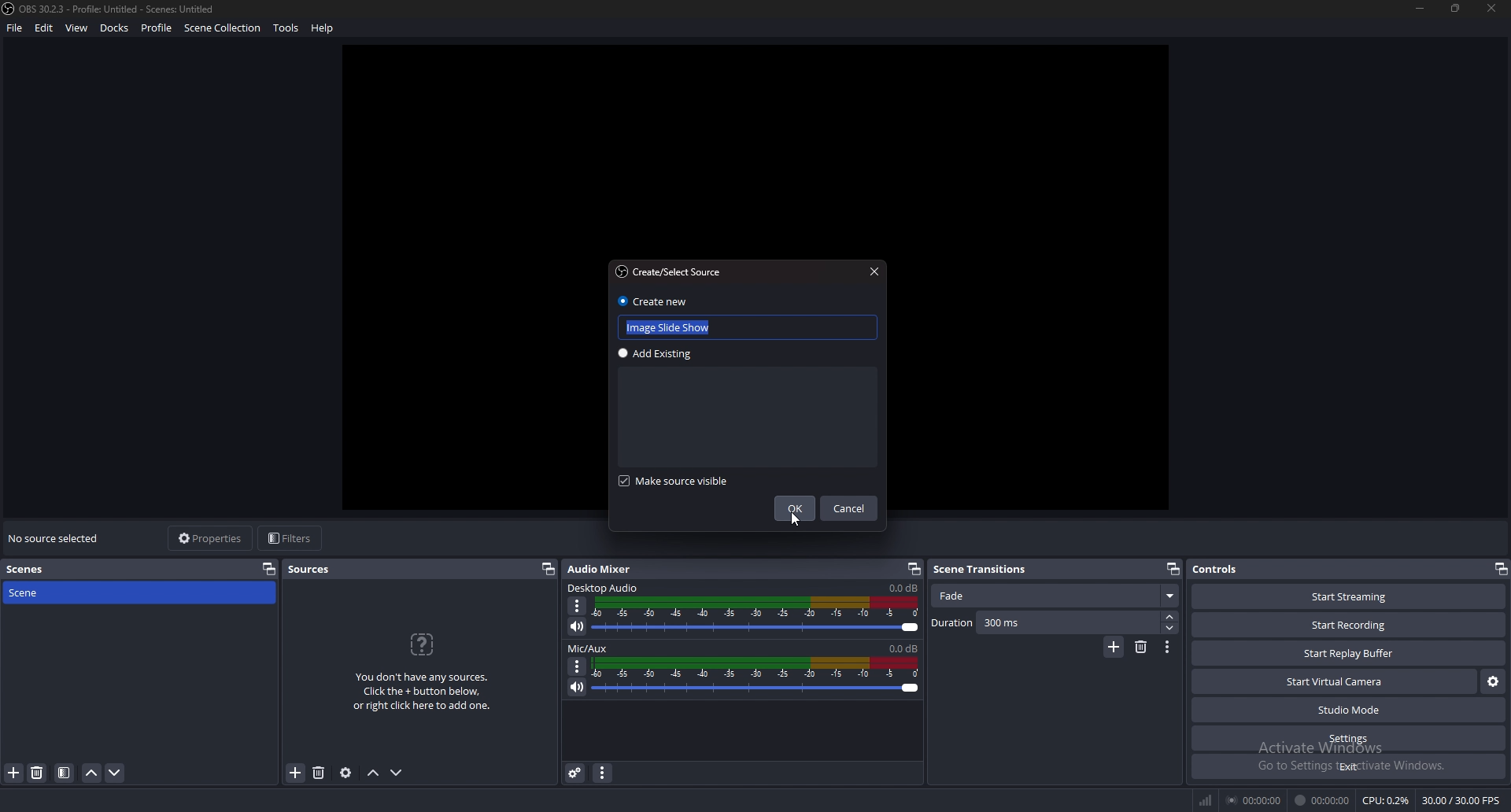 This screenshot has width=1511, height=812. What do you see at coordinates (673, 327) in the screenshot?
I see `name input` at bounding box center [673, 327].